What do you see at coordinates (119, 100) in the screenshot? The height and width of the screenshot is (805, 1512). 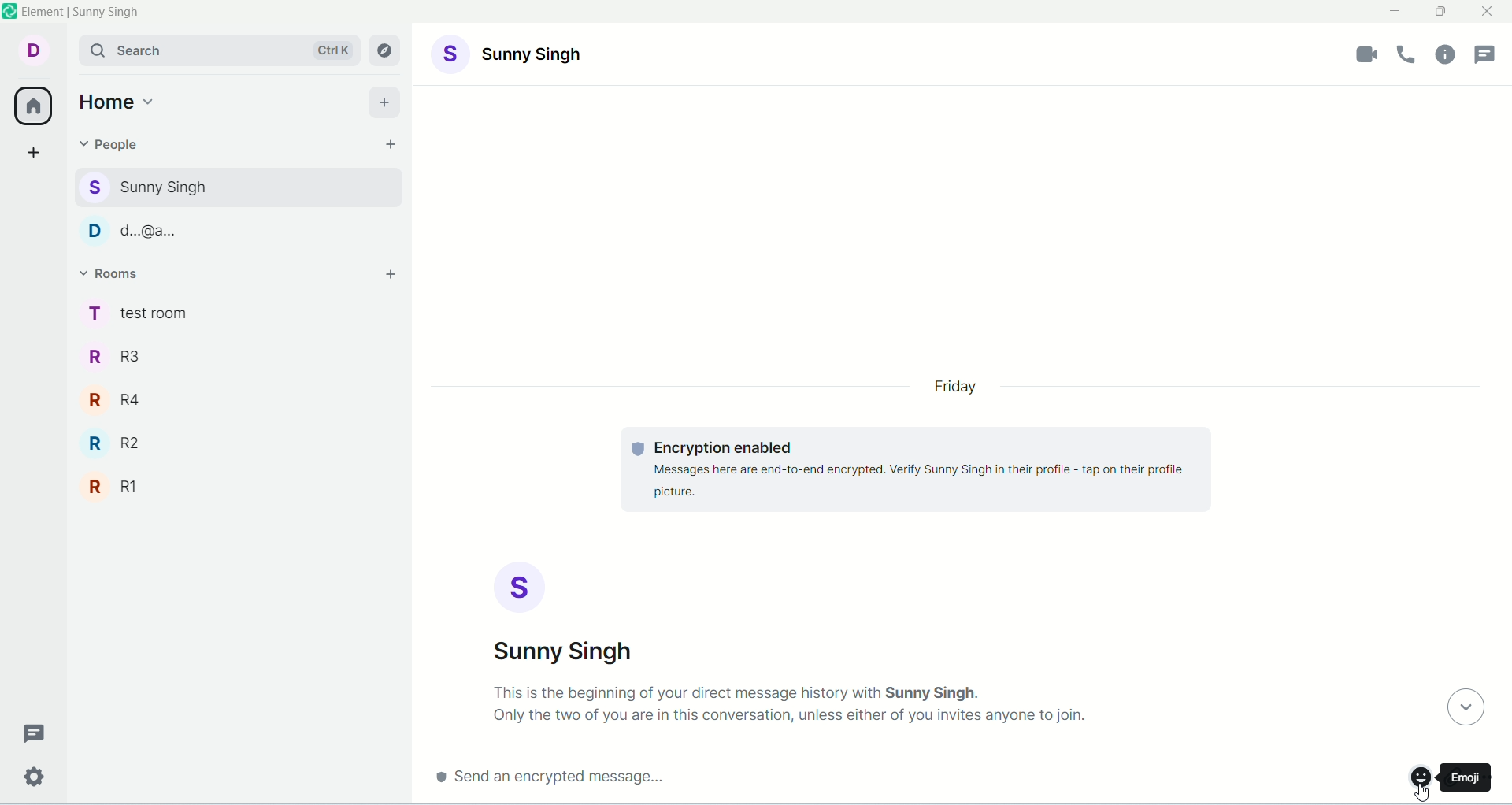 I see `home` at bounding box center [119, 100].